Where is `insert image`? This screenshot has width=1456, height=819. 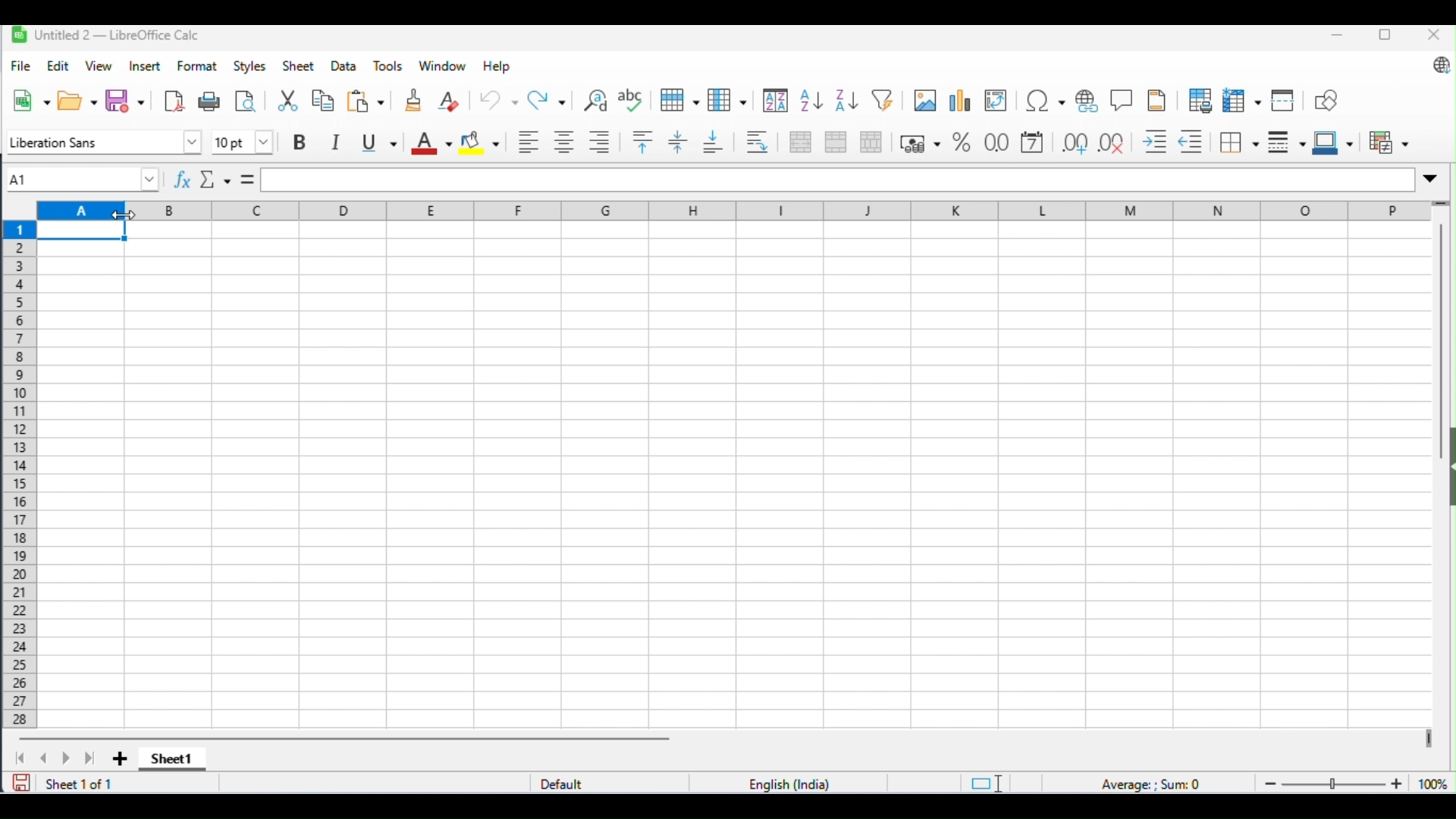
insert image is located at coordinates (924, 100).